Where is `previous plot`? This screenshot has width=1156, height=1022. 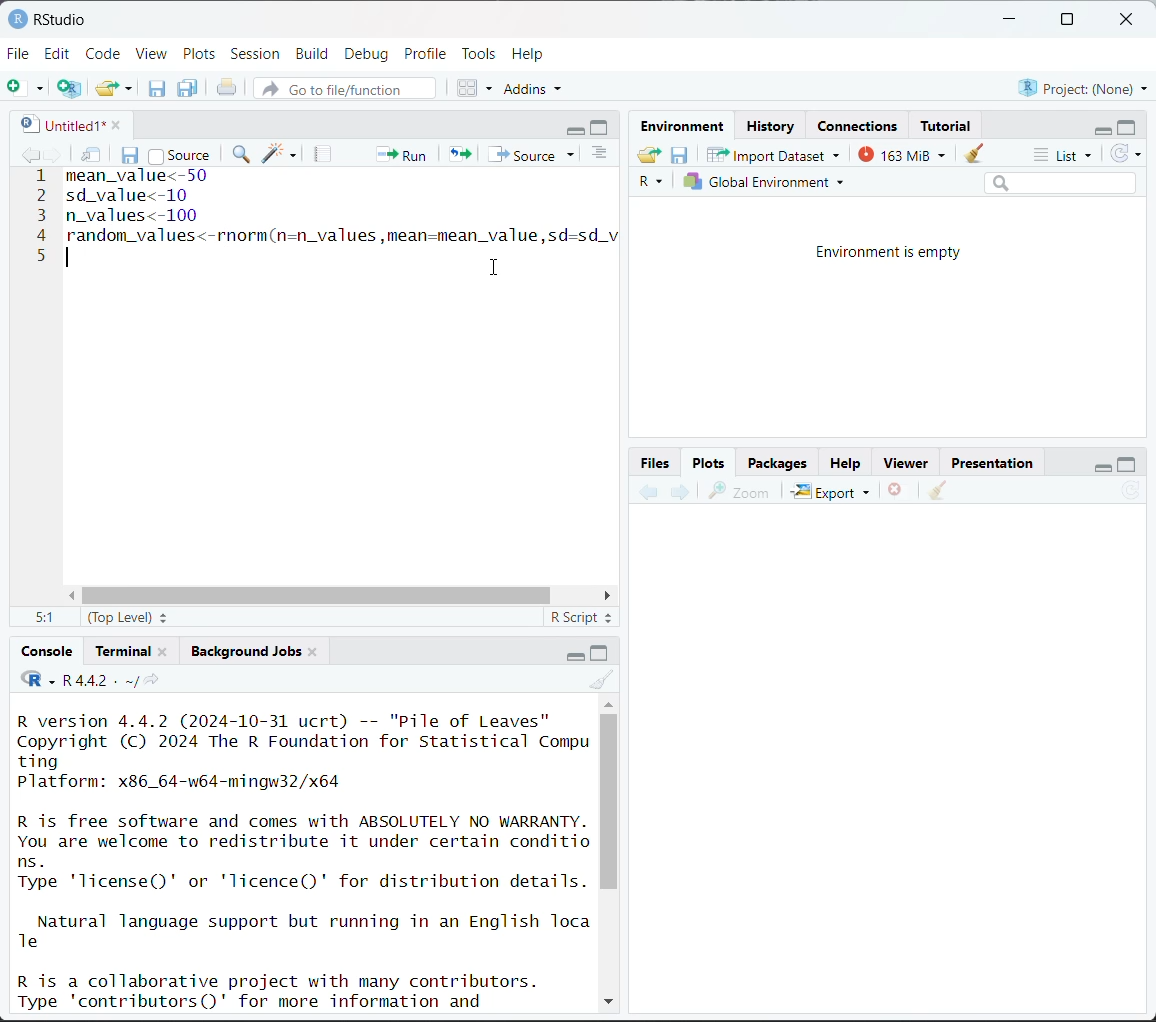 previous plot is located at coordinates (649, 493).